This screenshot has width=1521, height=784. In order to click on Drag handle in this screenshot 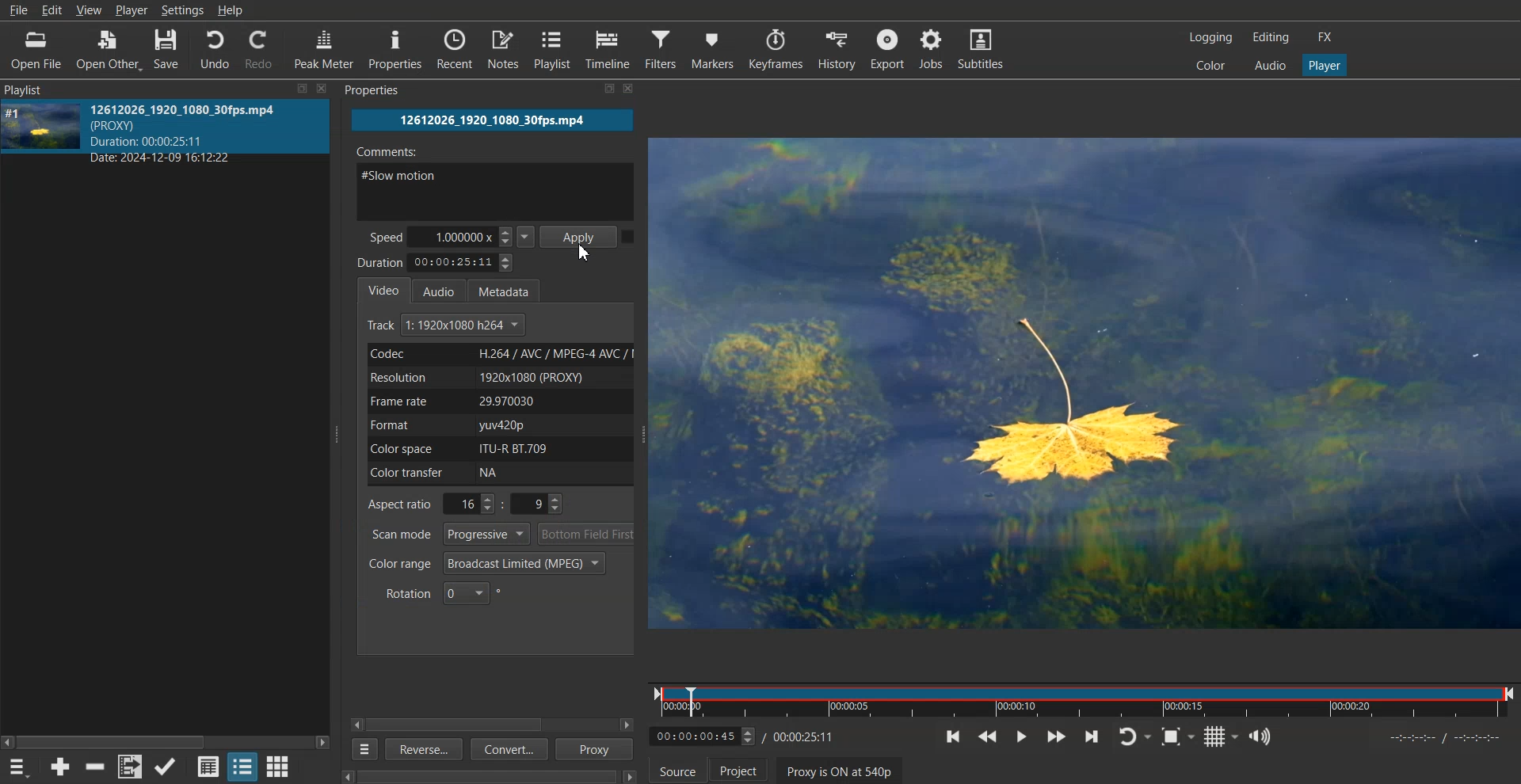, I will do `click(339, 433)`.